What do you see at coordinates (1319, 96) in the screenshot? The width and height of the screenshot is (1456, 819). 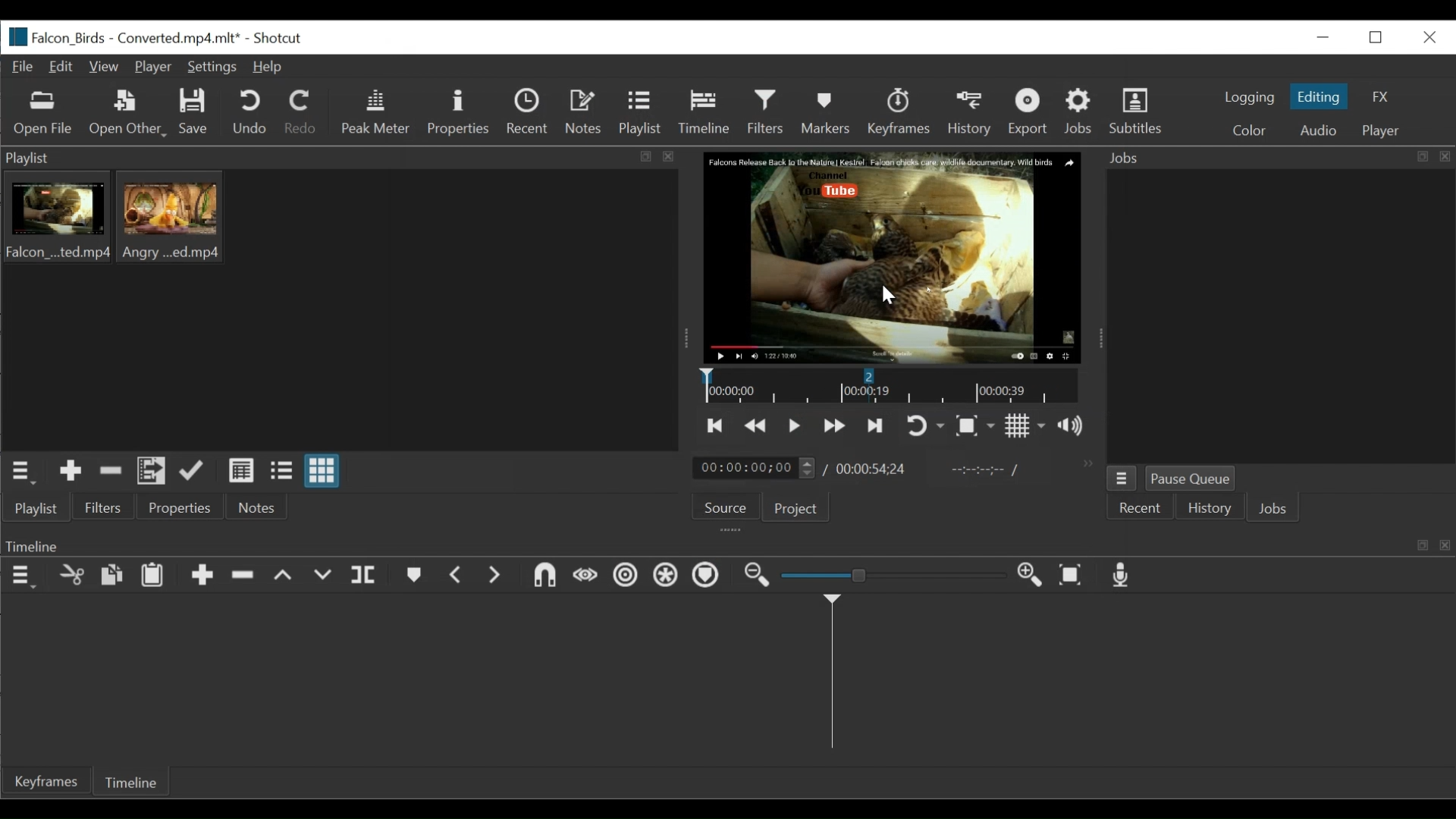 I see `Editing` at bounding box center [1319, 96].